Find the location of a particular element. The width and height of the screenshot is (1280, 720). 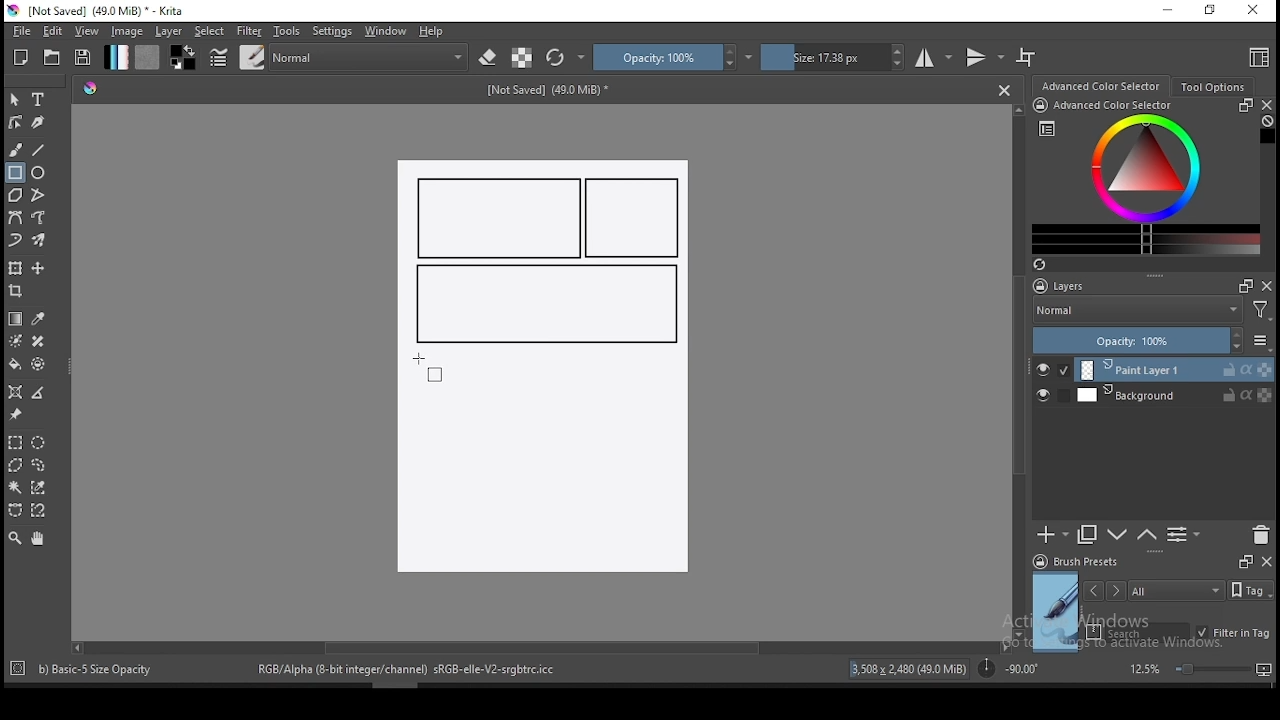

bezier curve tool is located at coordinates (14, 219).